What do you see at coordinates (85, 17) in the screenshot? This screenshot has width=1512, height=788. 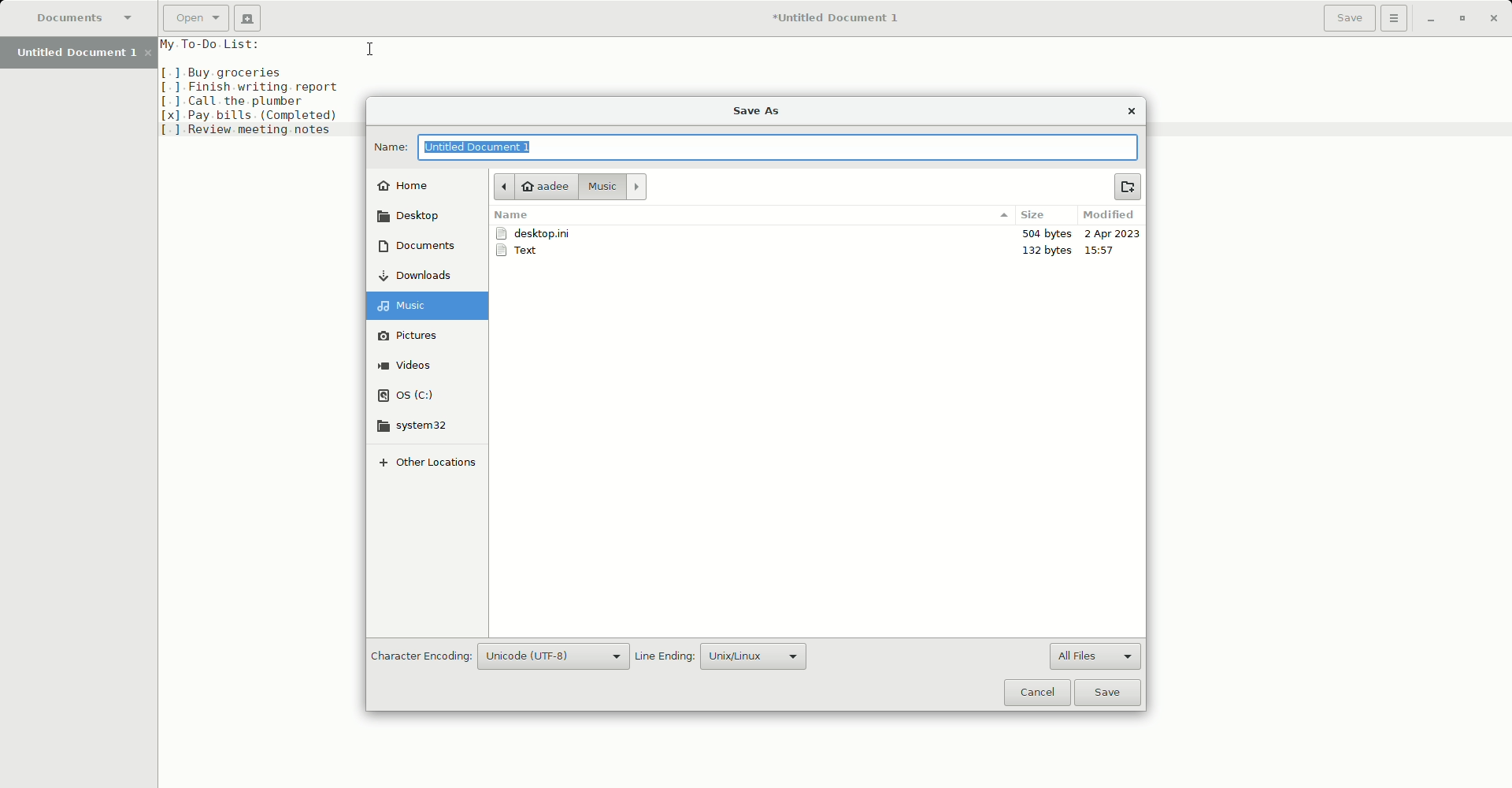 I see `Documents` at bounding box center [85, 17].